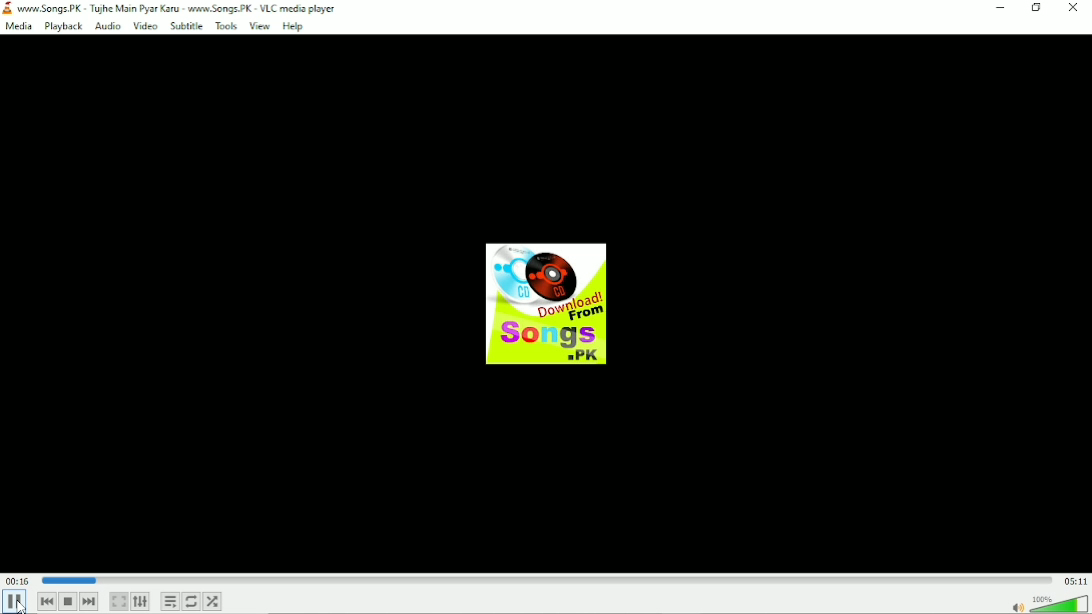  Describe the element at coordinates (23, 604) in the screenshot. I see `cursor` at that location.